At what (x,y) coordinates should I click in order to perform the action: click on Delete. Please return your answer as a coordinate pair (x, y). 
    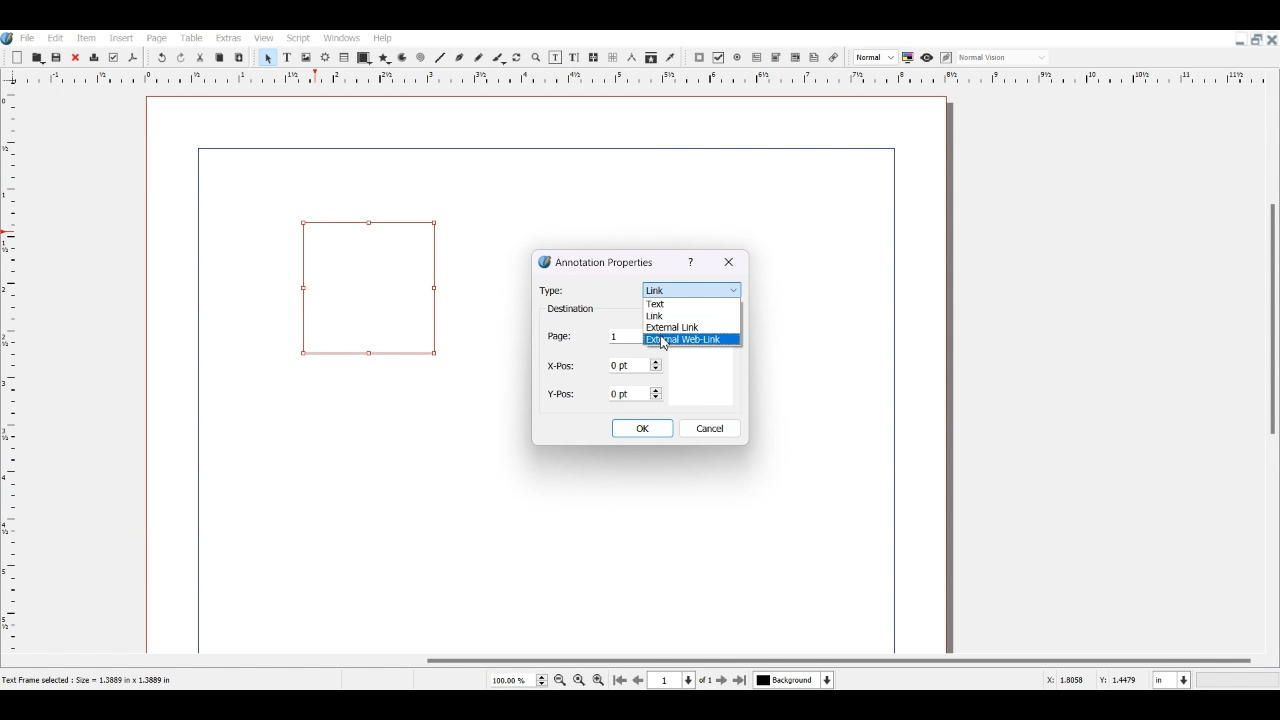
    Looking at the image, I should click on (93, 58).